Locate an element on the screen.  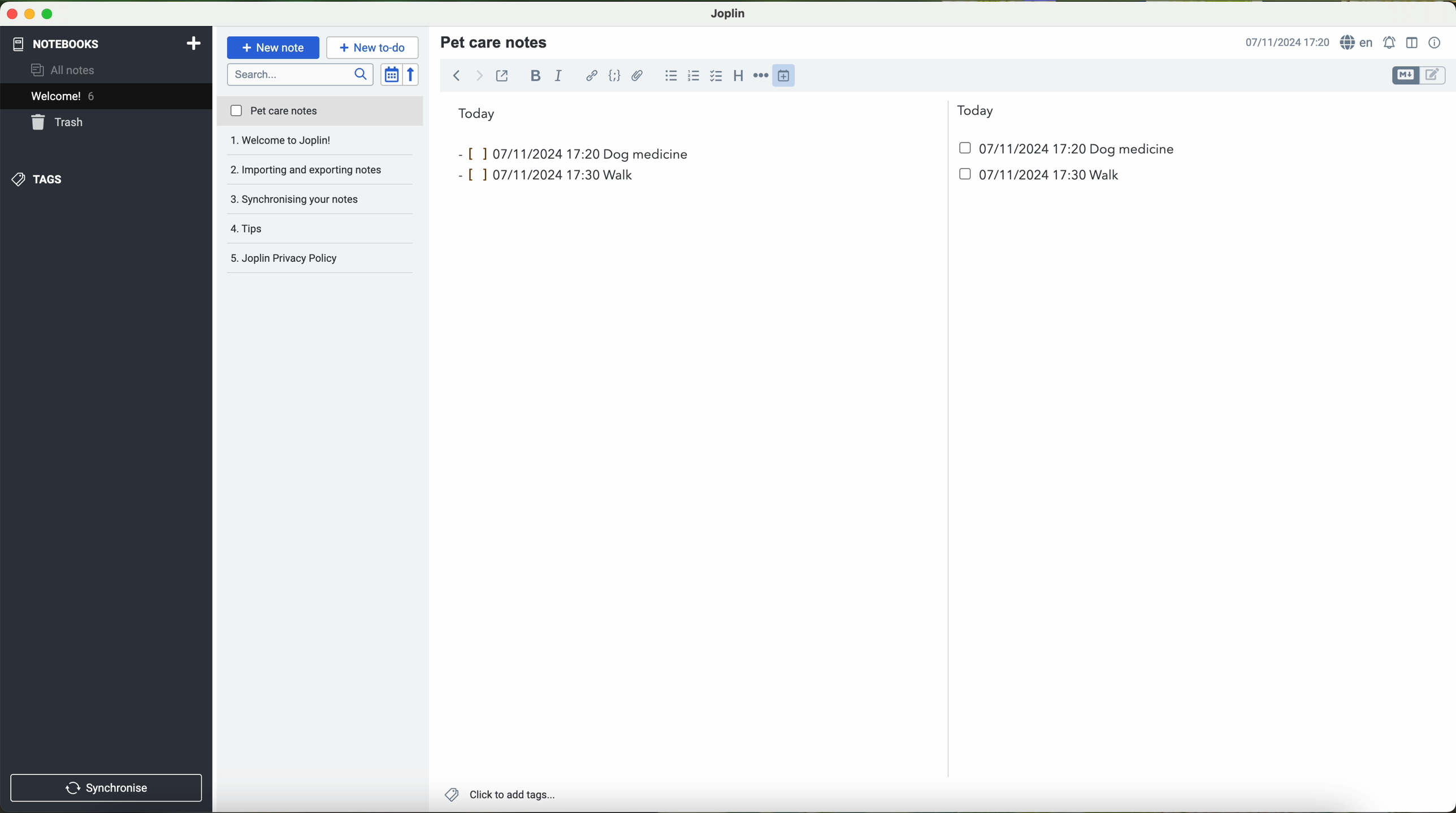
pet care notes file is located at coordinates (319, 112).